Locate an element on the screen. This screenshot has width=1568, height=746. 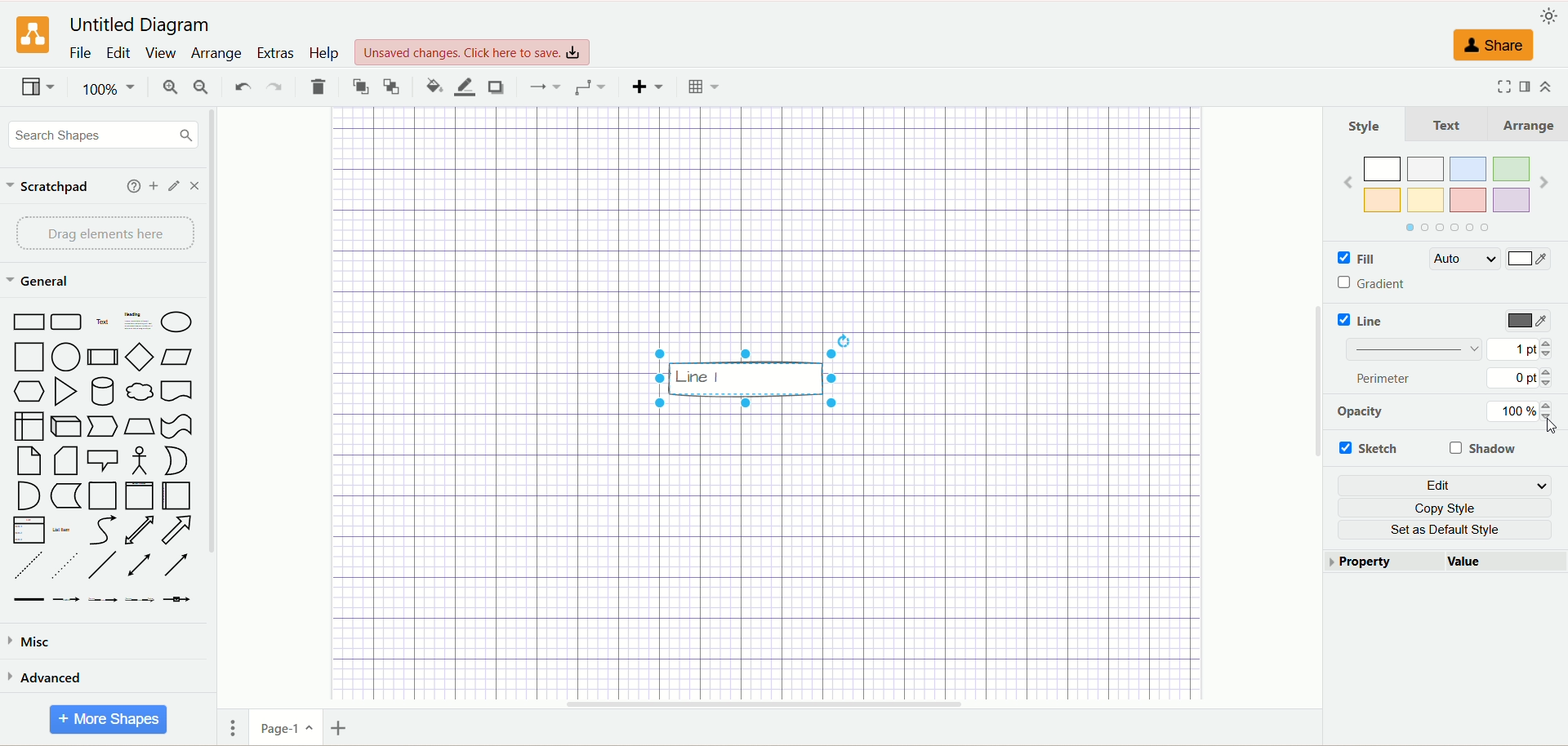
Connector with symbol is located at coordinates (176, 600).